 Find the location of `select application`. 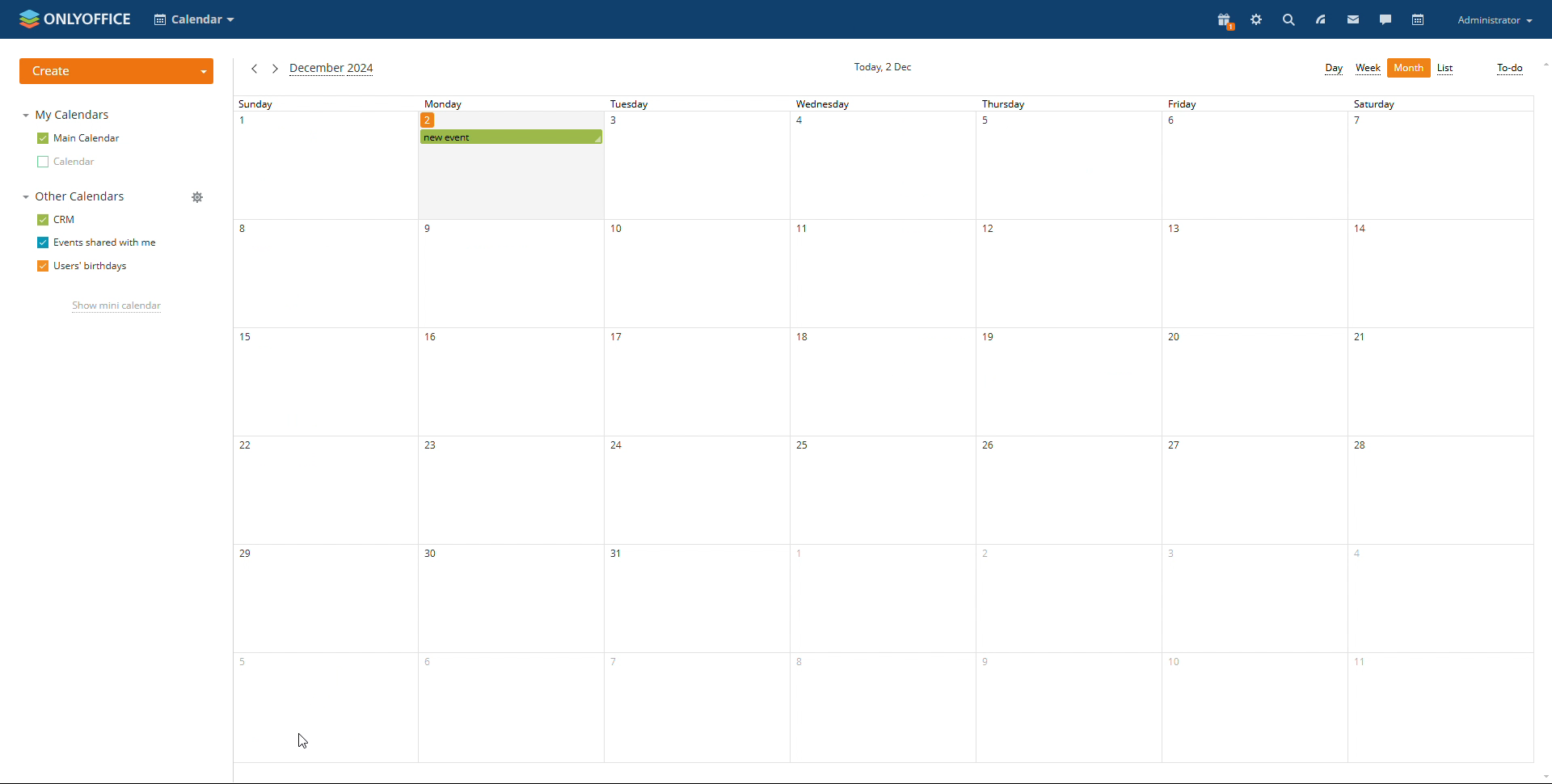

select application is located at coordinates (194, 20).